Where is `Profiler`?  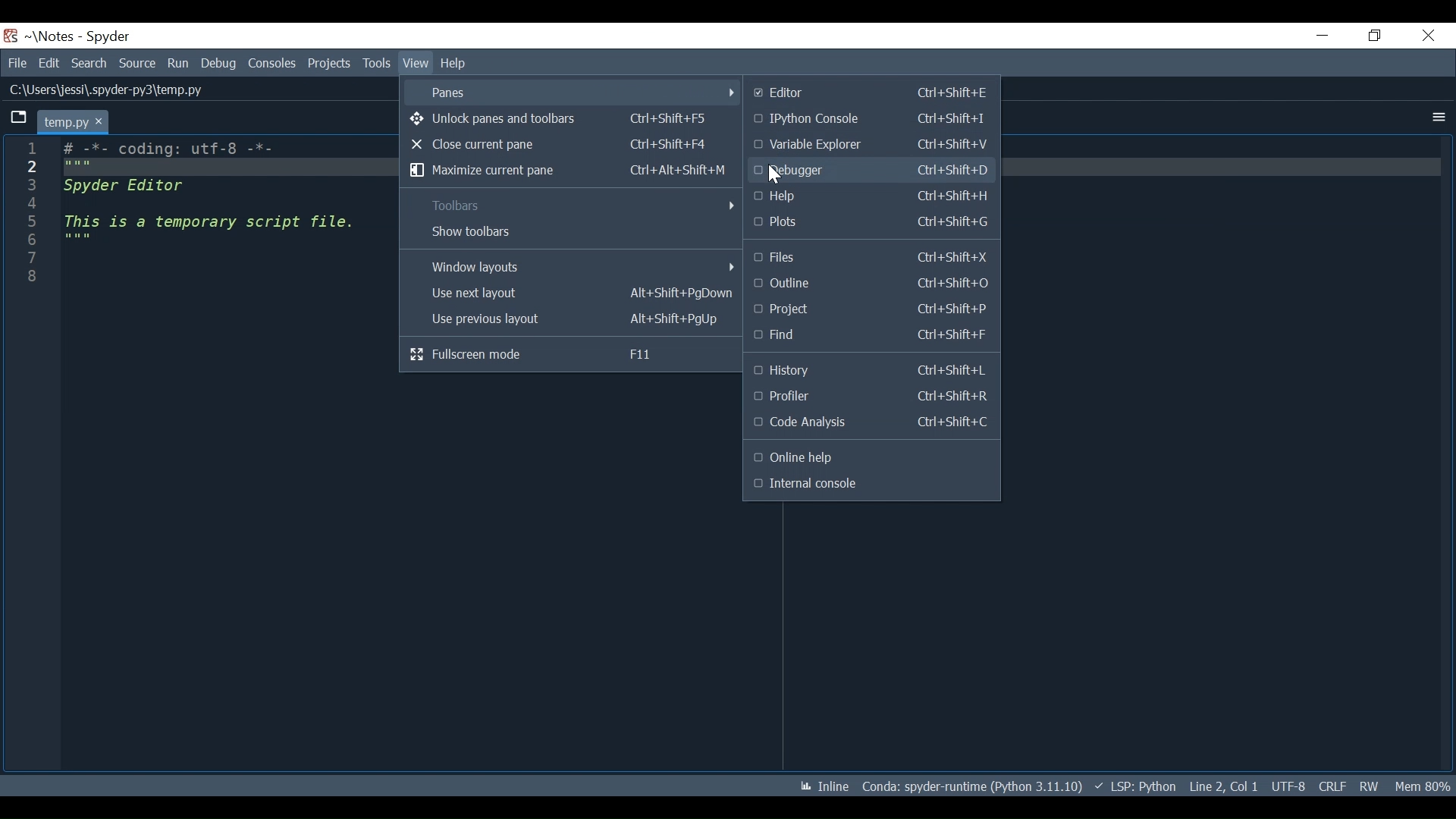
Profiler is located at coordinates (868, 395).